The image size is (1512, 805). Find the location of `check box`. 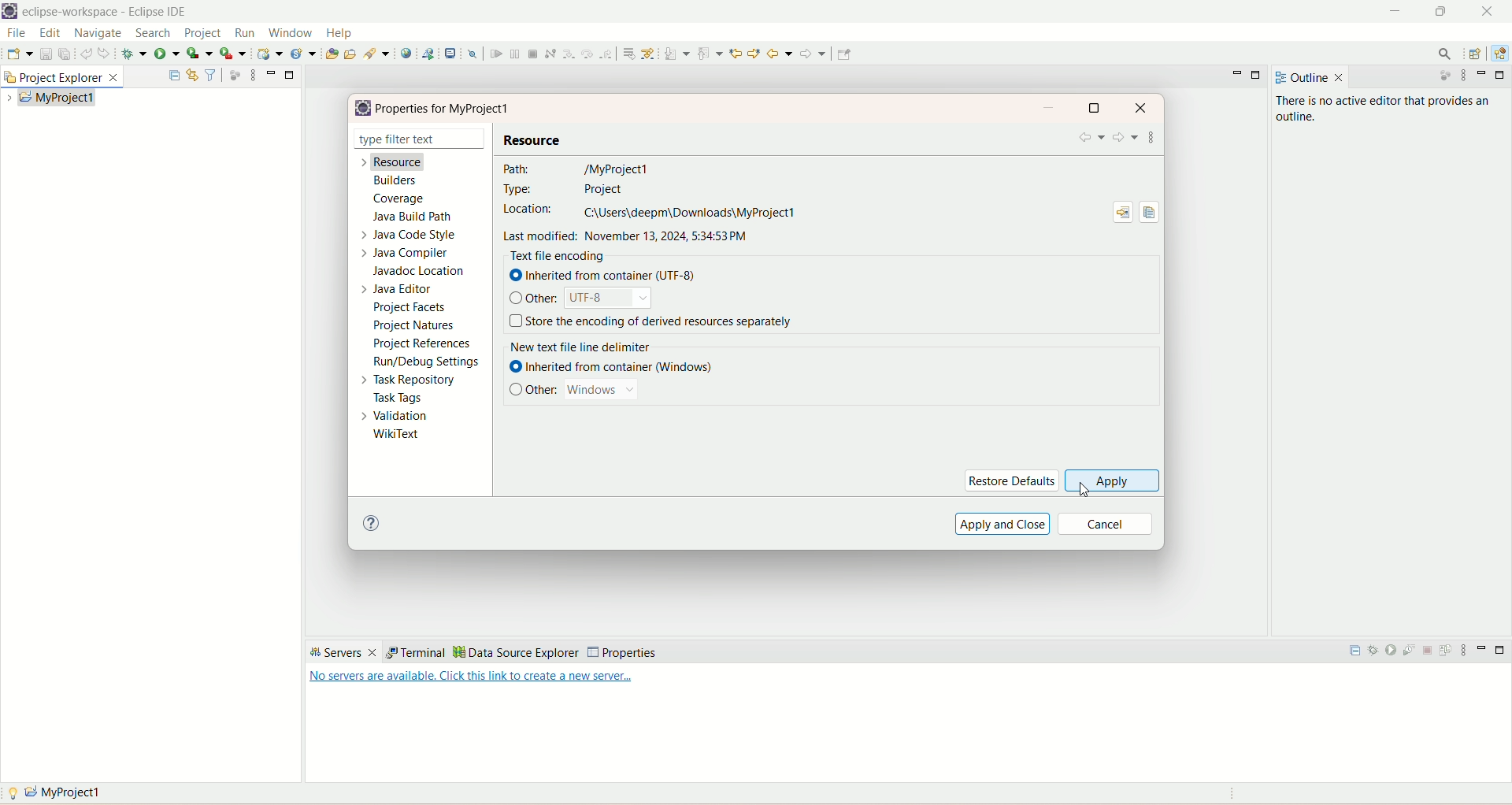

check box is located at coordinates (516, 387).